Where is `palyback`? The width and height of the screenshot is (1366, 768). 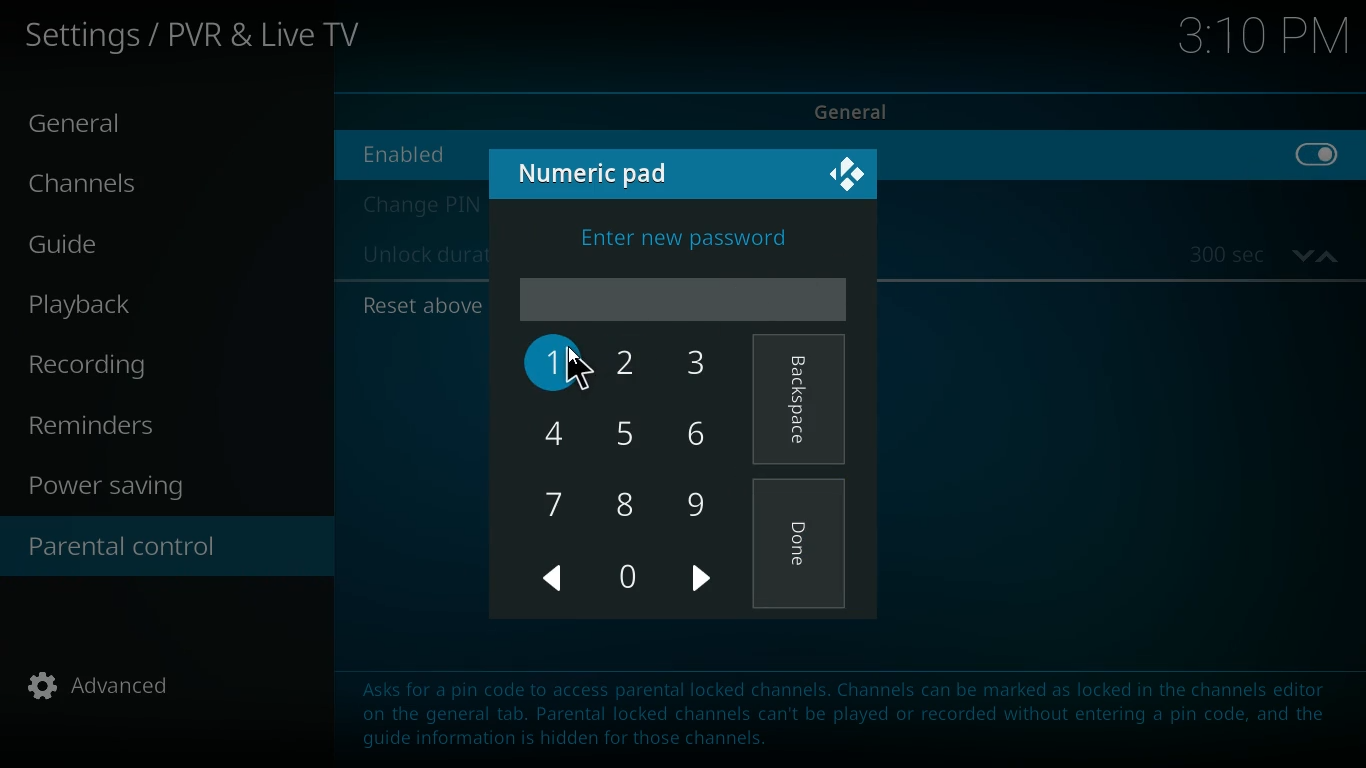
palyback is located at coordinates (102, 305).